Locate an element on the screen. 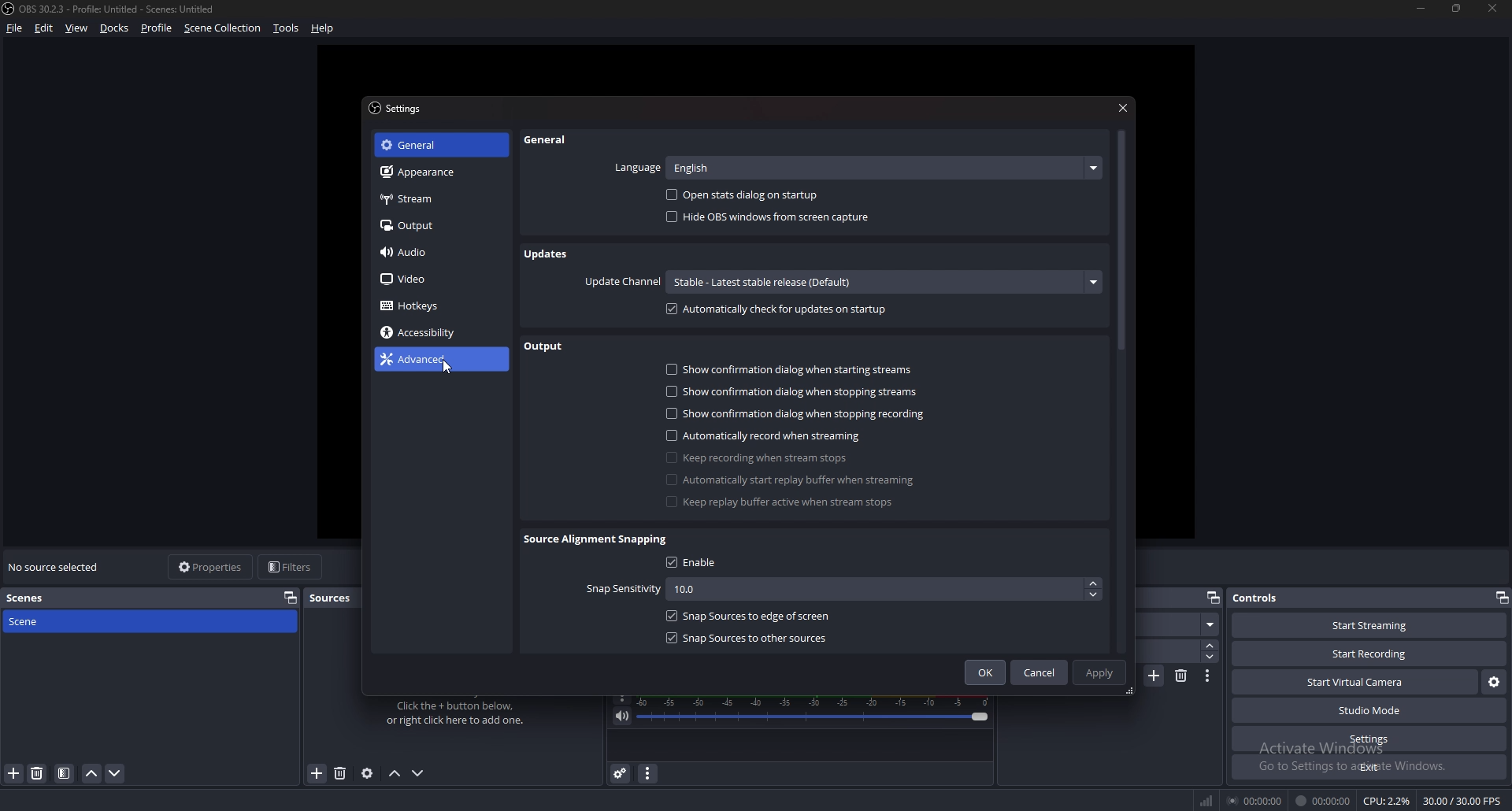  remove scene is located at coordinates (38, 773).